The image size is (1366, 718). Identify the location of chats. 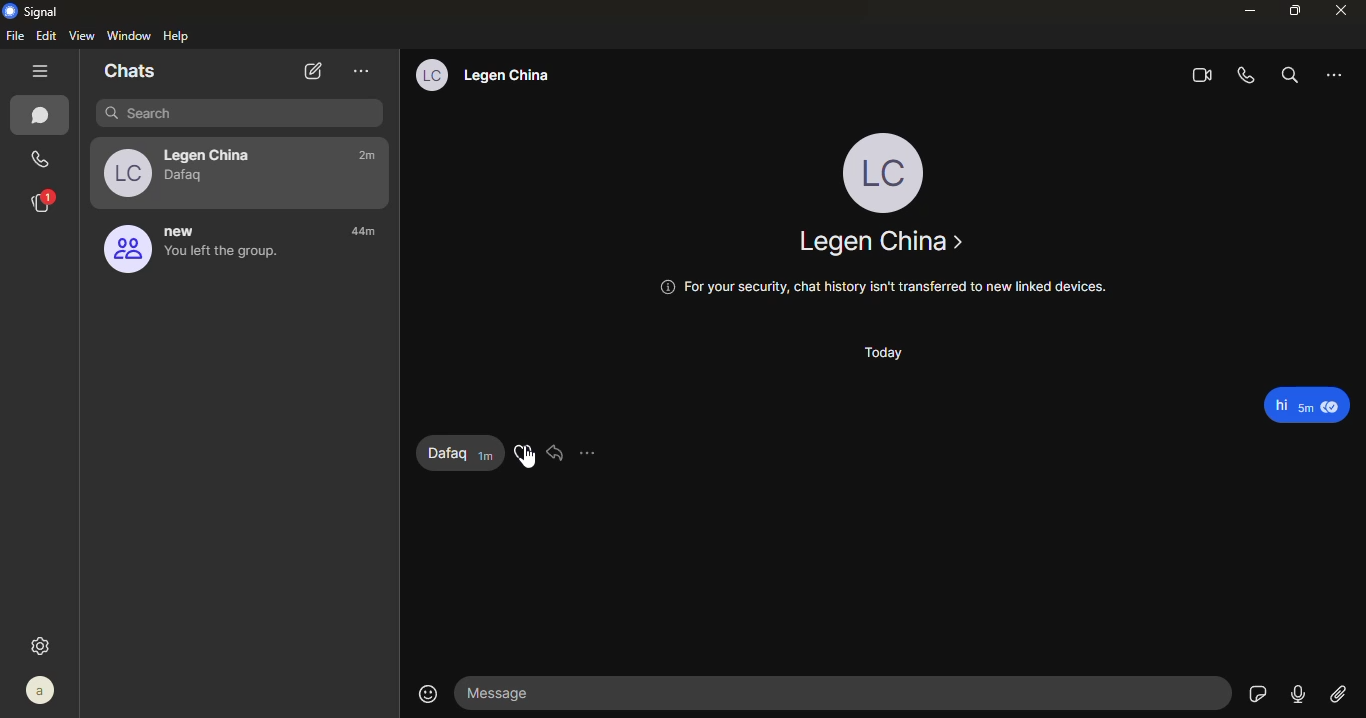
(43, 116).